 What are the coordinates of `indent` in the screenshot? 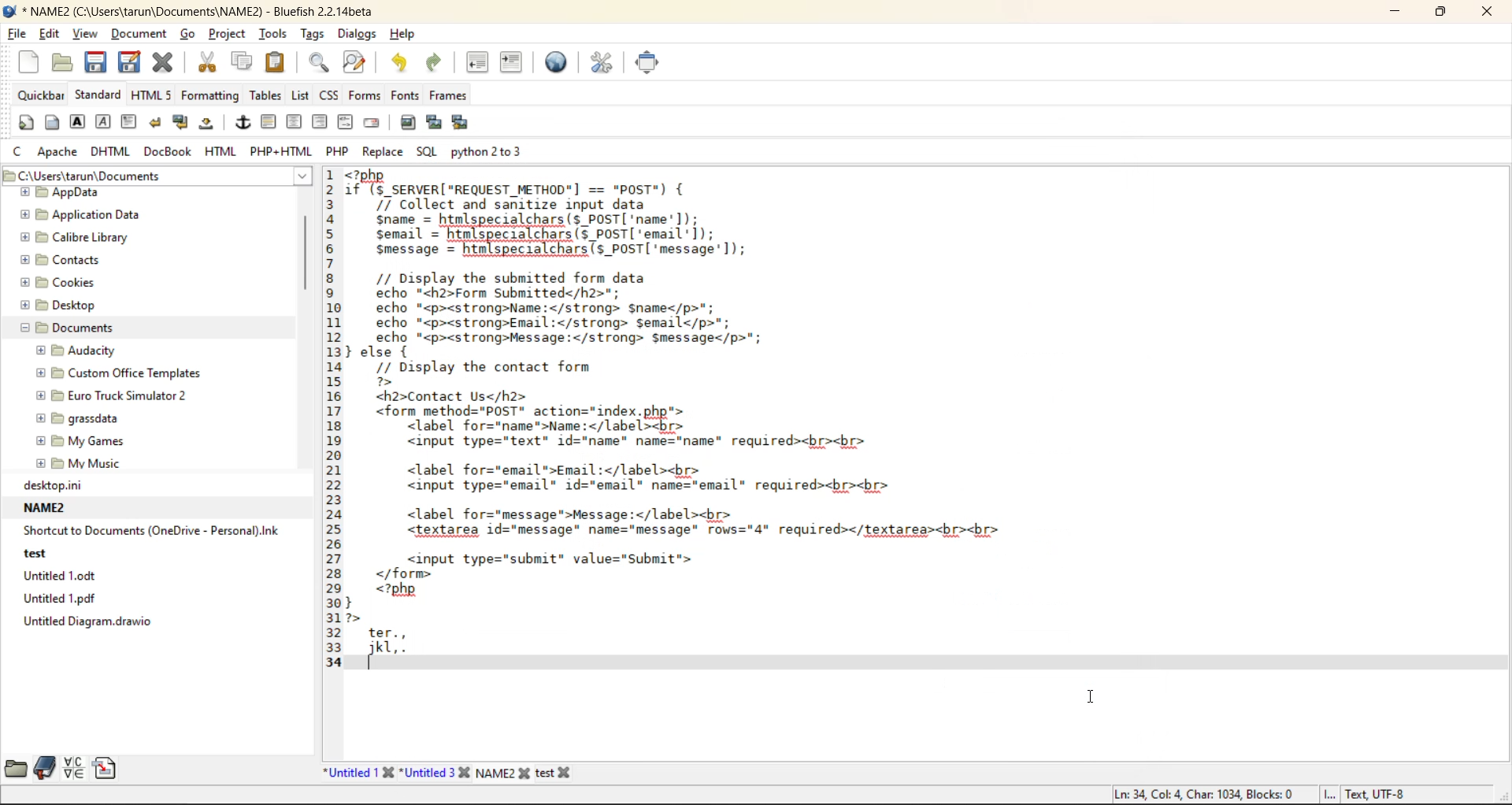 It's located at (513, 65).